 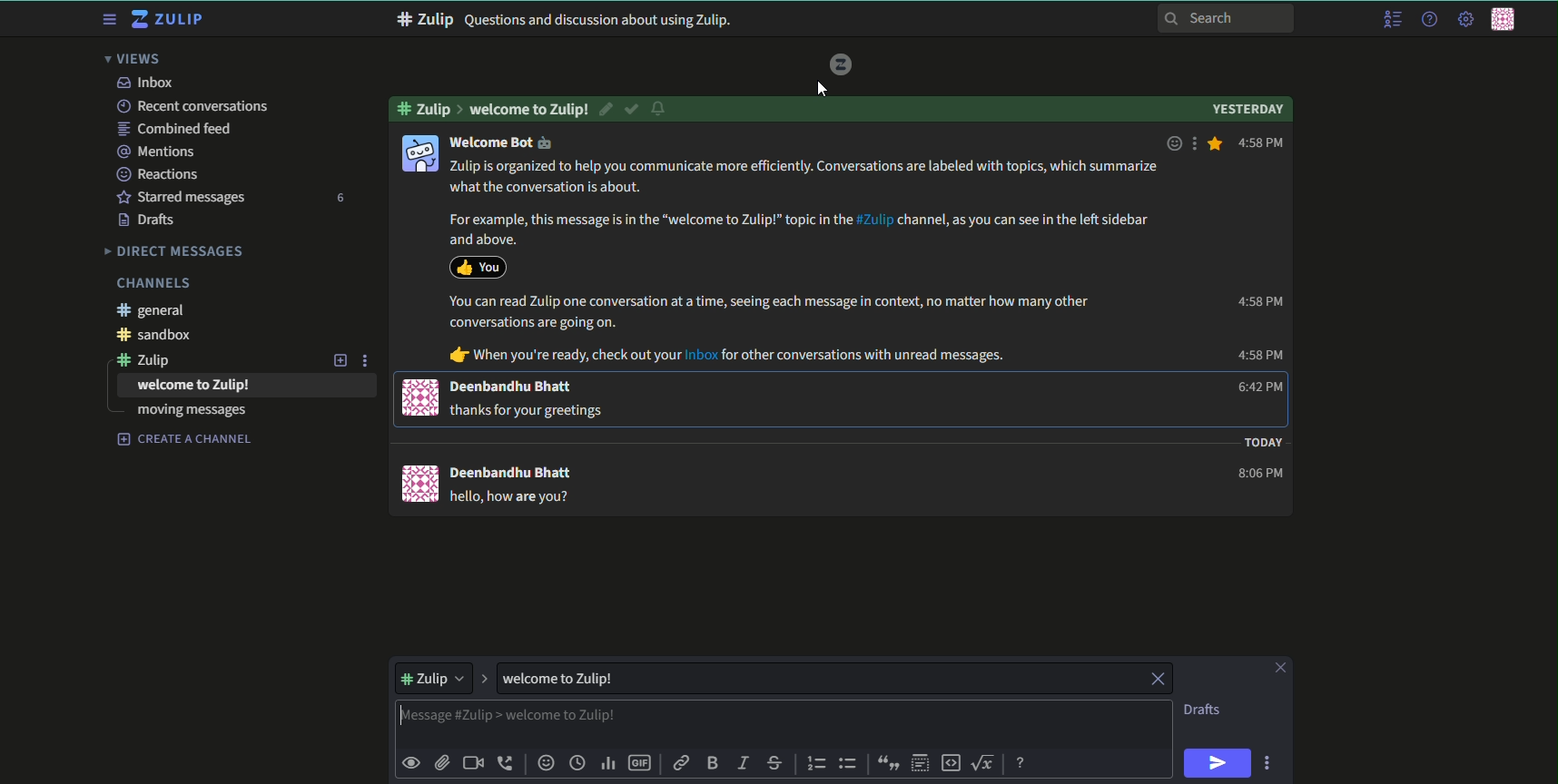 I want to click on quote, so click(x=885, y=763).